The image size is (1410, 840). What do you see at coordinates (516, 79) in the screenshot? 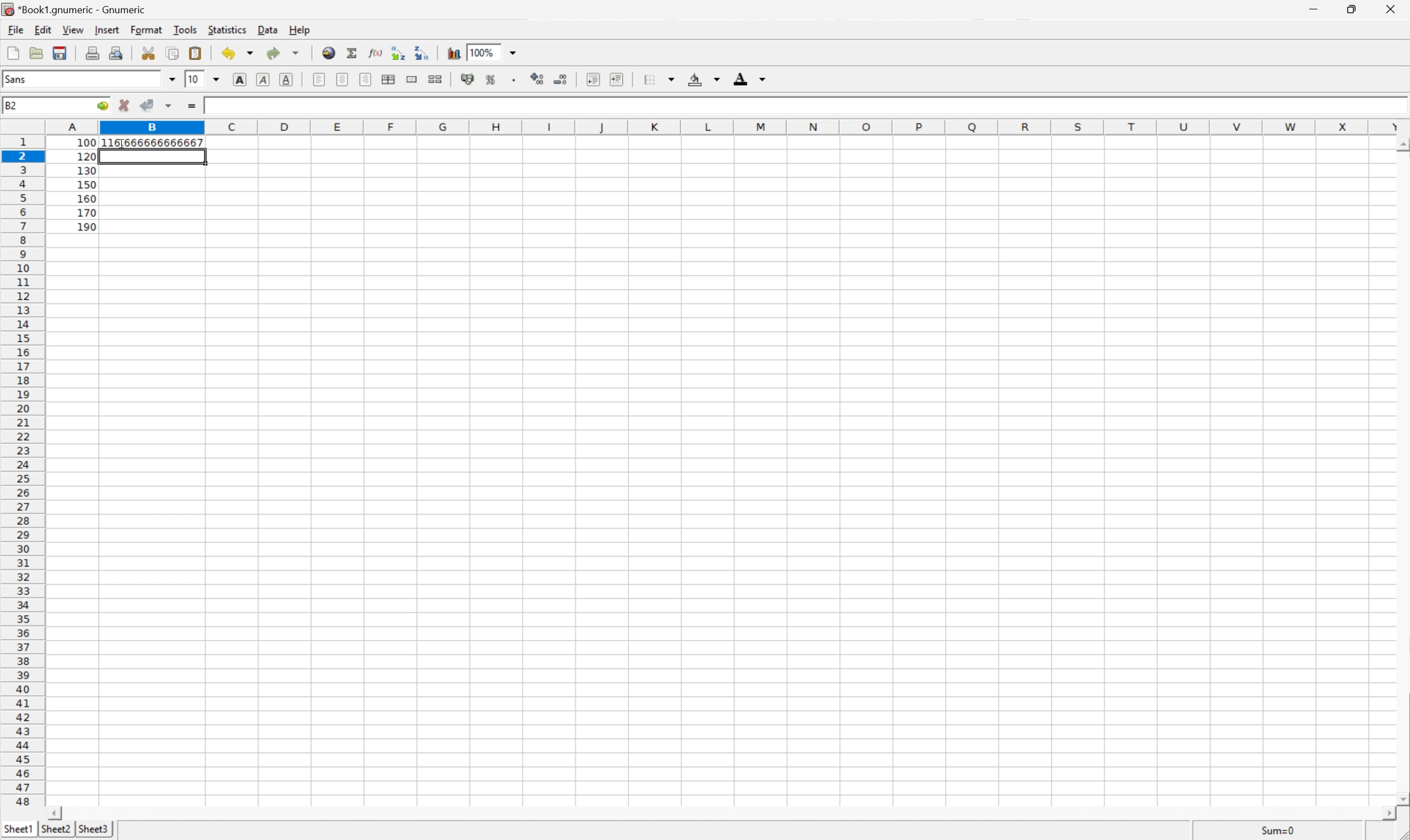
I see `Set the format of the selected cells to include a thousands separator` at bounding box center [516, 79].